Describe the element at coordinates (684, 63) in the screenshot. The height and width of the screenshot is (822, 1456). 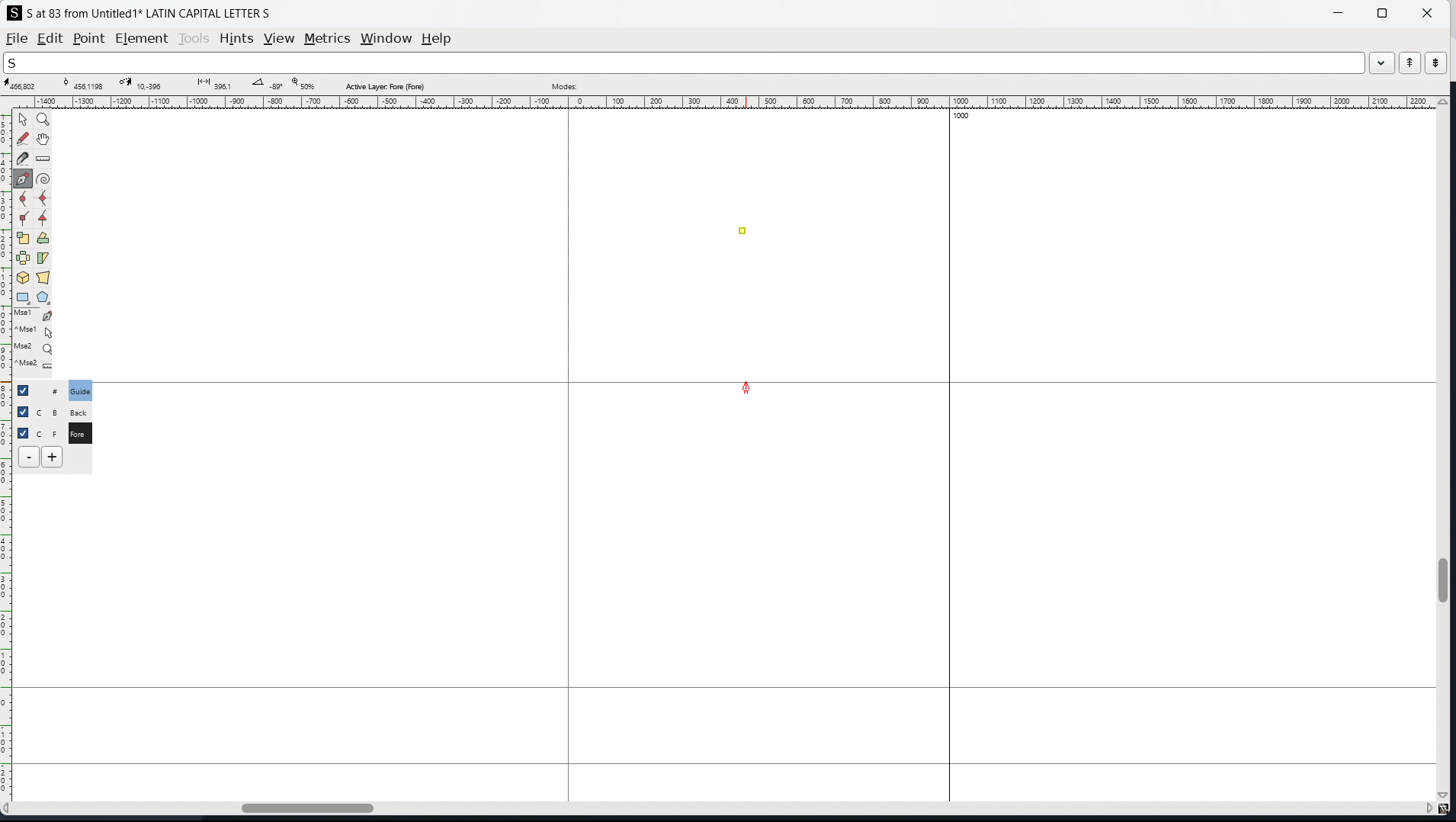
I see `search  the wordlist` at that location.